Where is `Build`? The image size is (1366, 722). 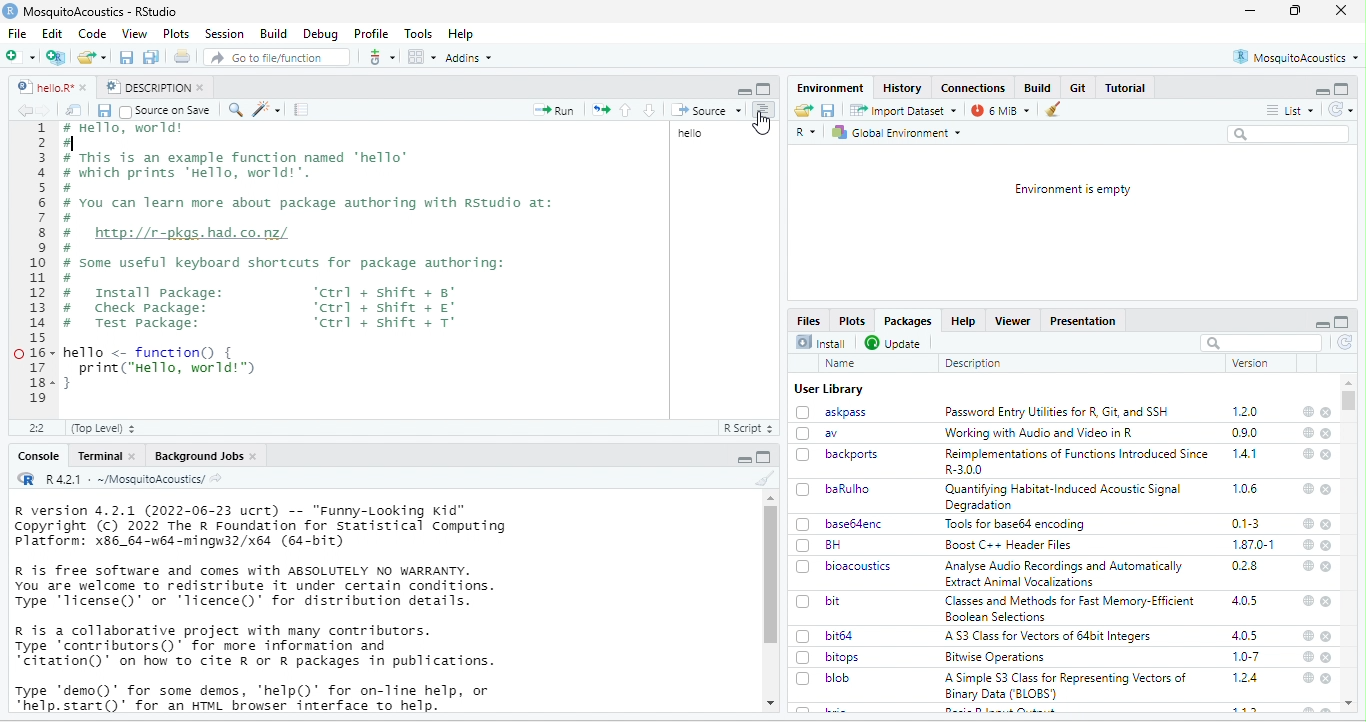 Build is located at coordinates (271, 33).